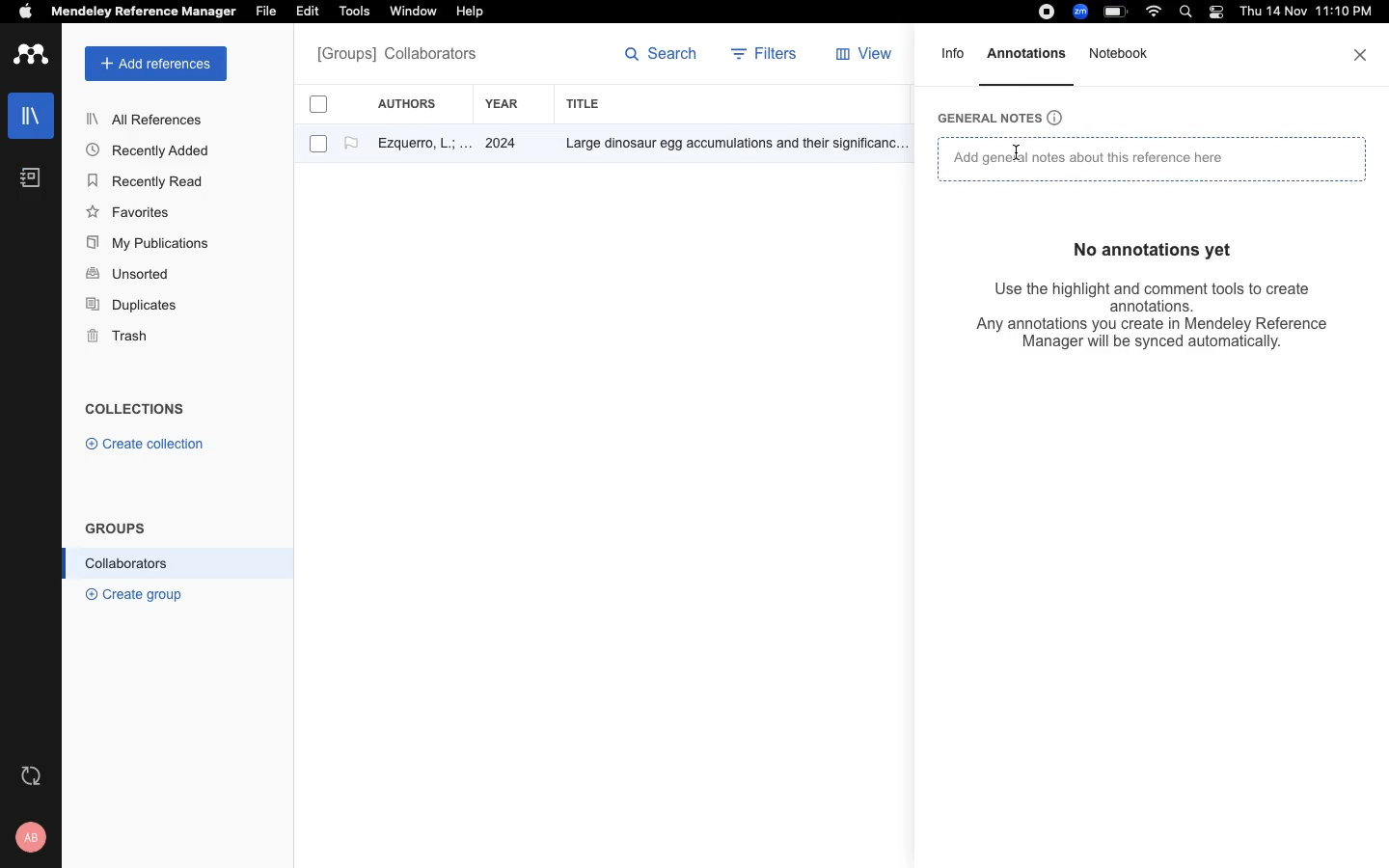 The height and width of the screenshot is (868, 1389). What do you see at coordinates (148, 119) in the screenshot?
I see `All References` at bounding box center [148, 119].